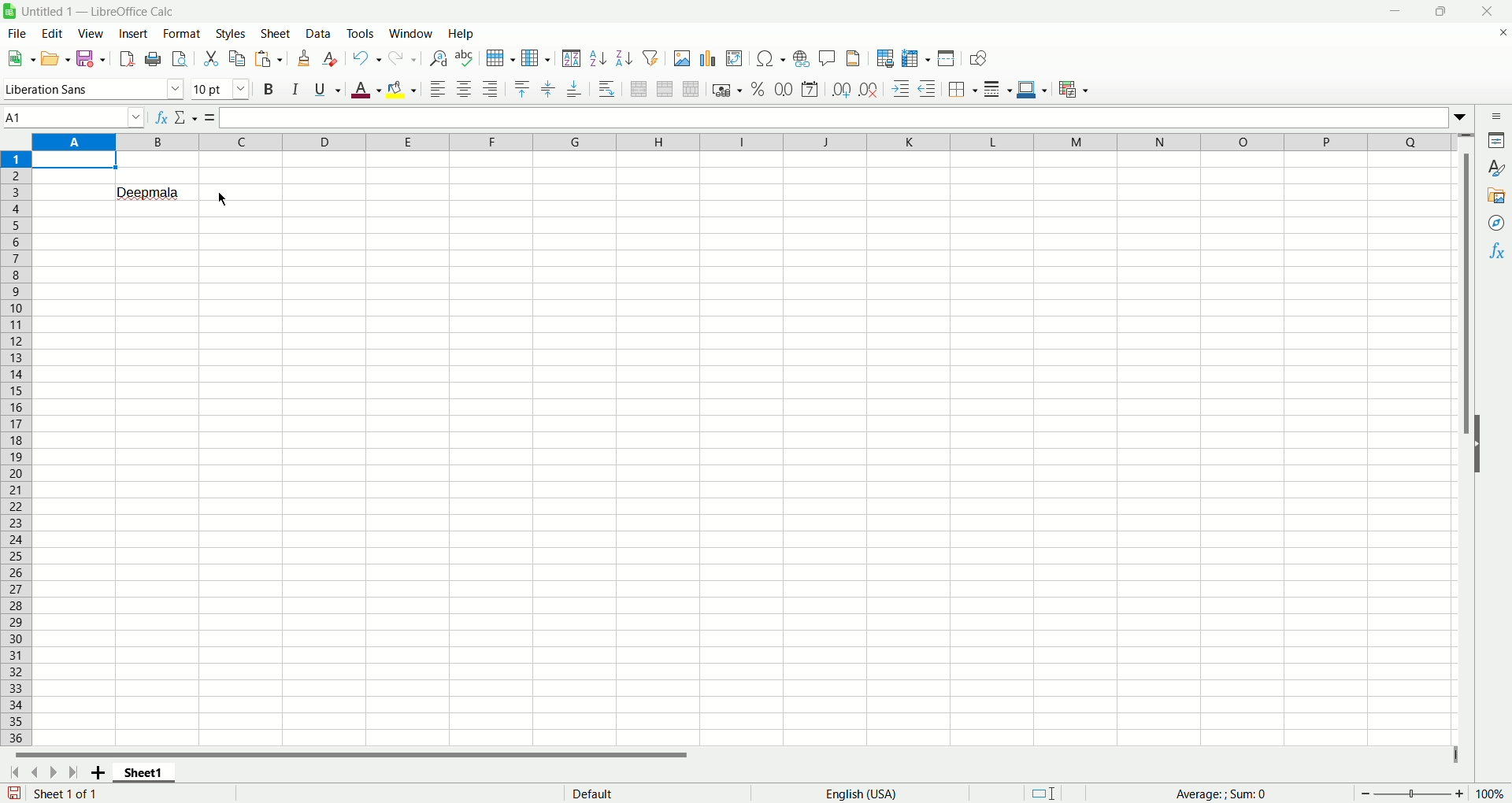 The height and width of the screenshot is (803, 1512). What do you see at coordinates (439, 90) in the screenshot?
I see `align left` at bounding box center [439, 90].